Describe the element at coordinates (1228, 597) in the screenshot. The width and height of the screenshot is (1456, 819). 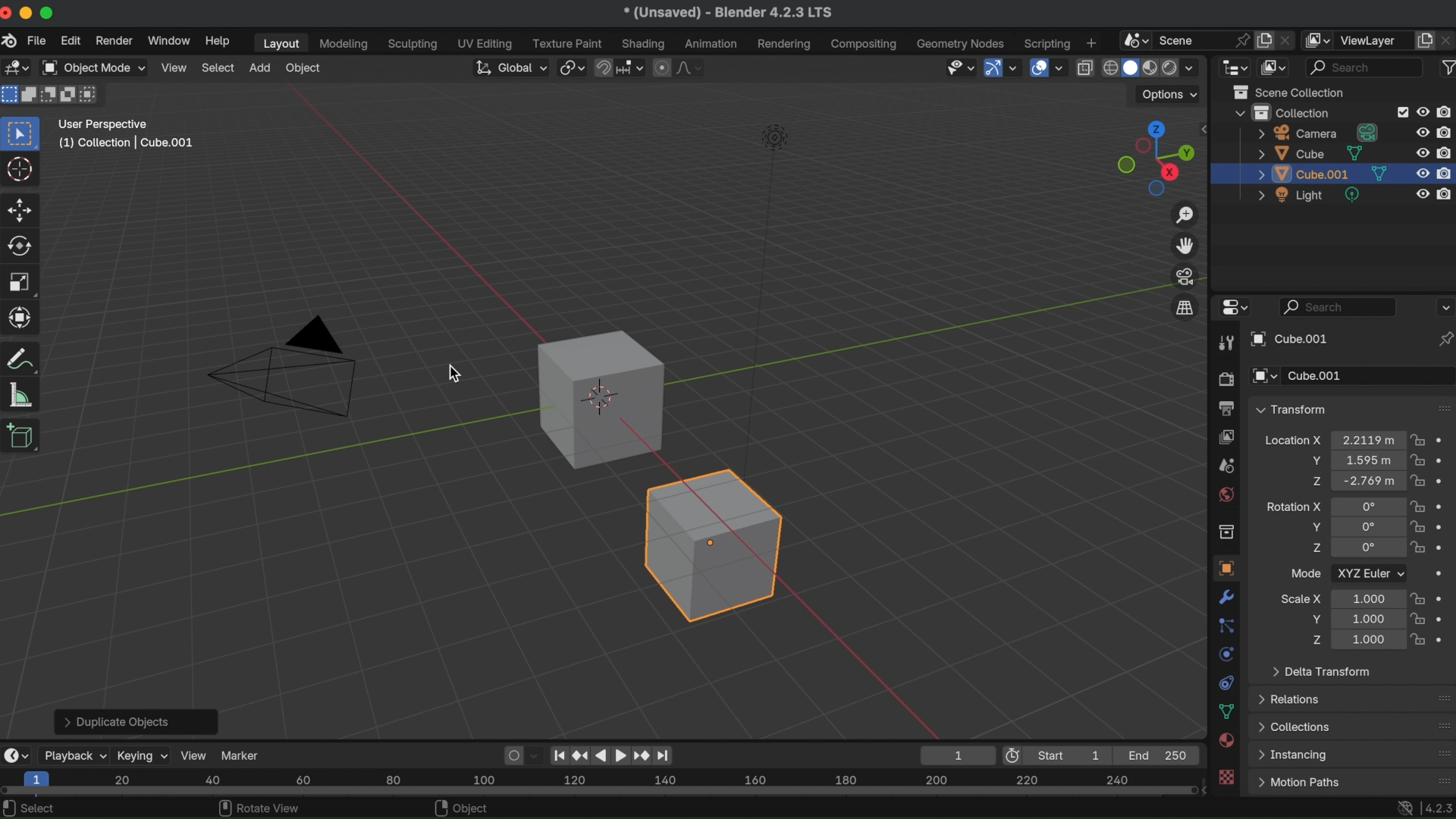
I see `modifiers` at that location.